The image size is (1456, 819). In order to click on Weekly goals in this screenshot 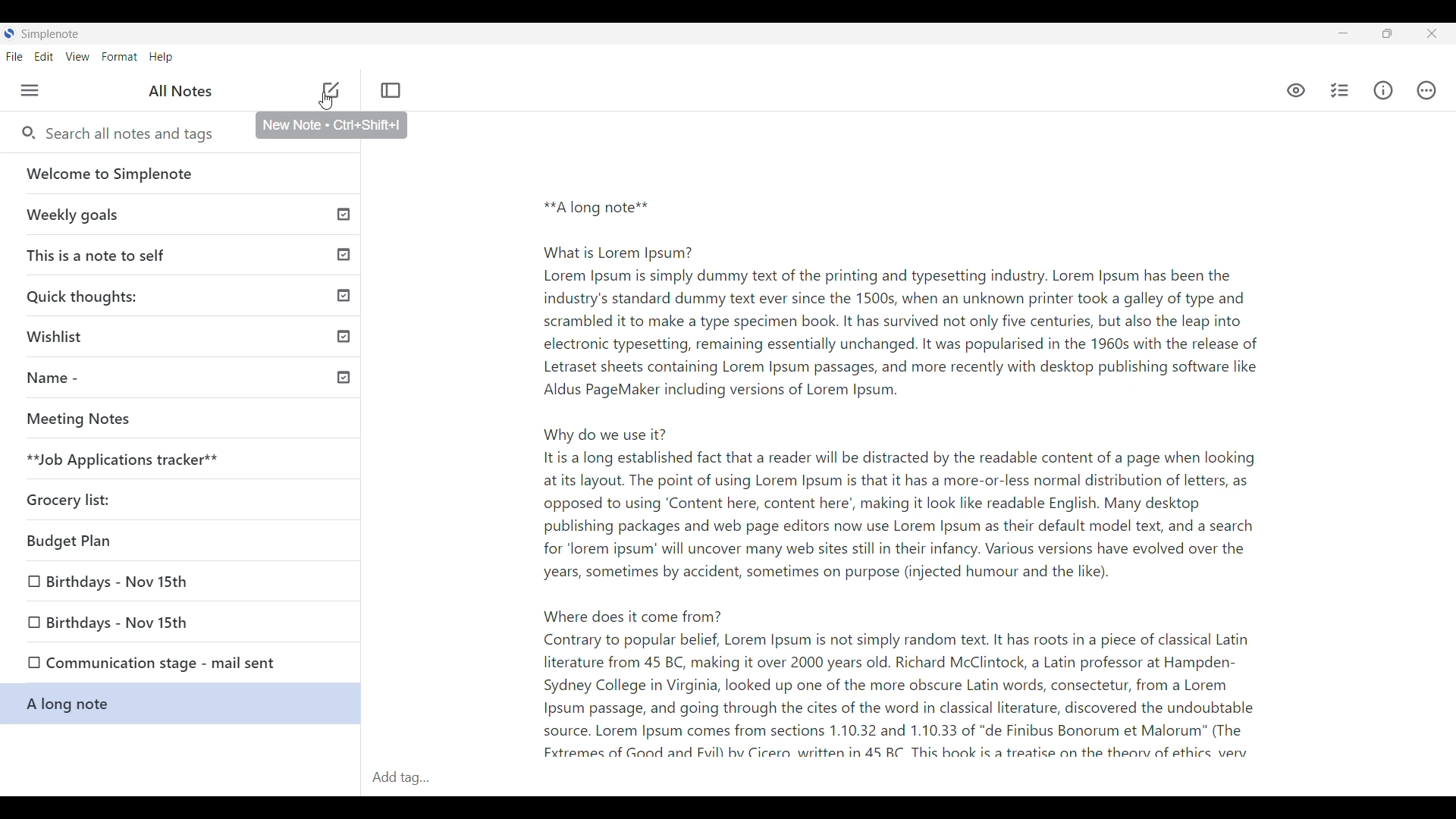, I will do `click(181, 214)`.